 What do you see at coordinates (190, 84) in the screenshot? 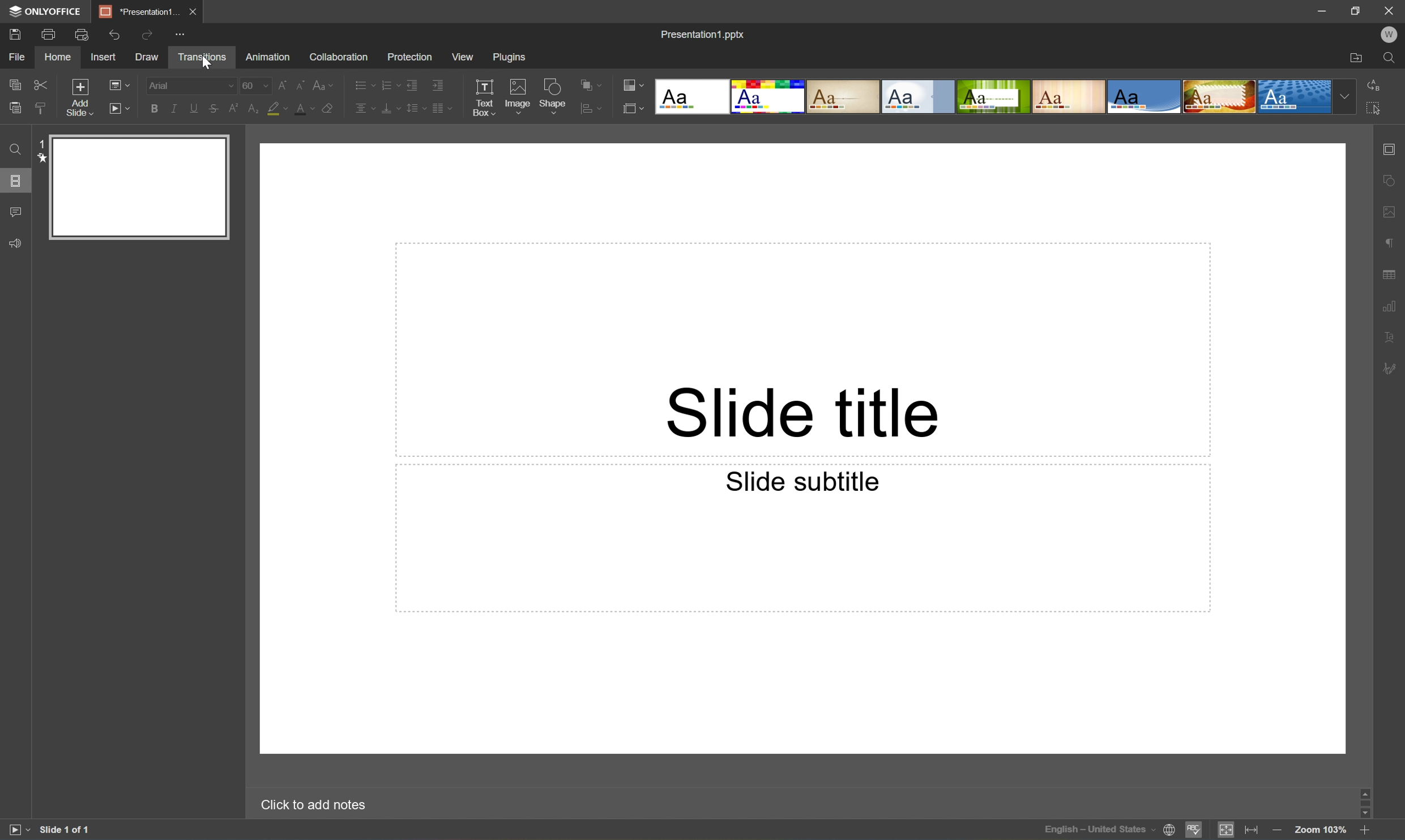
I see `Font` at bounding box center [190, 84].